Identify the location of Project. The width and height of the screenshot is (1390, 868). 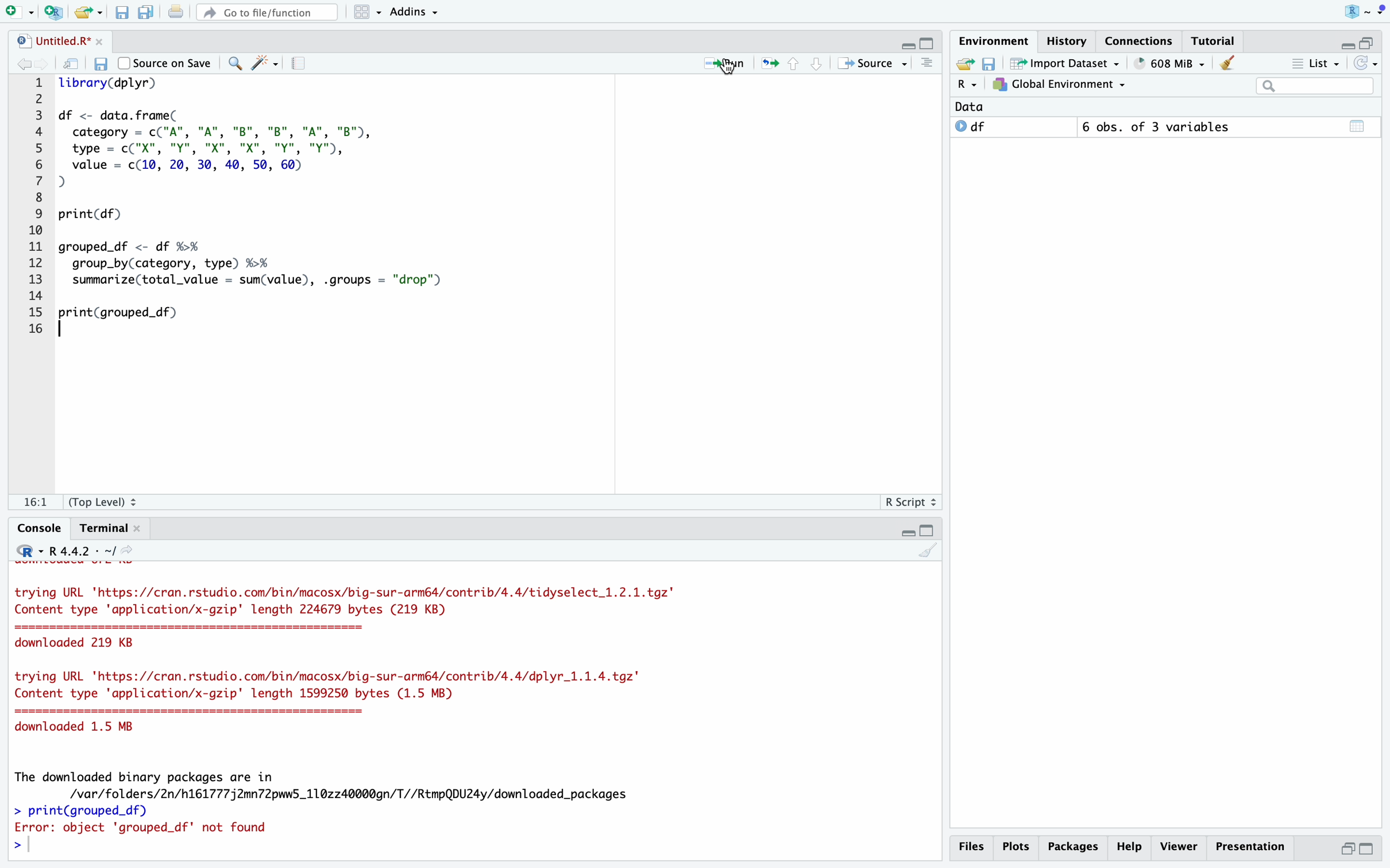
(1364, 12).